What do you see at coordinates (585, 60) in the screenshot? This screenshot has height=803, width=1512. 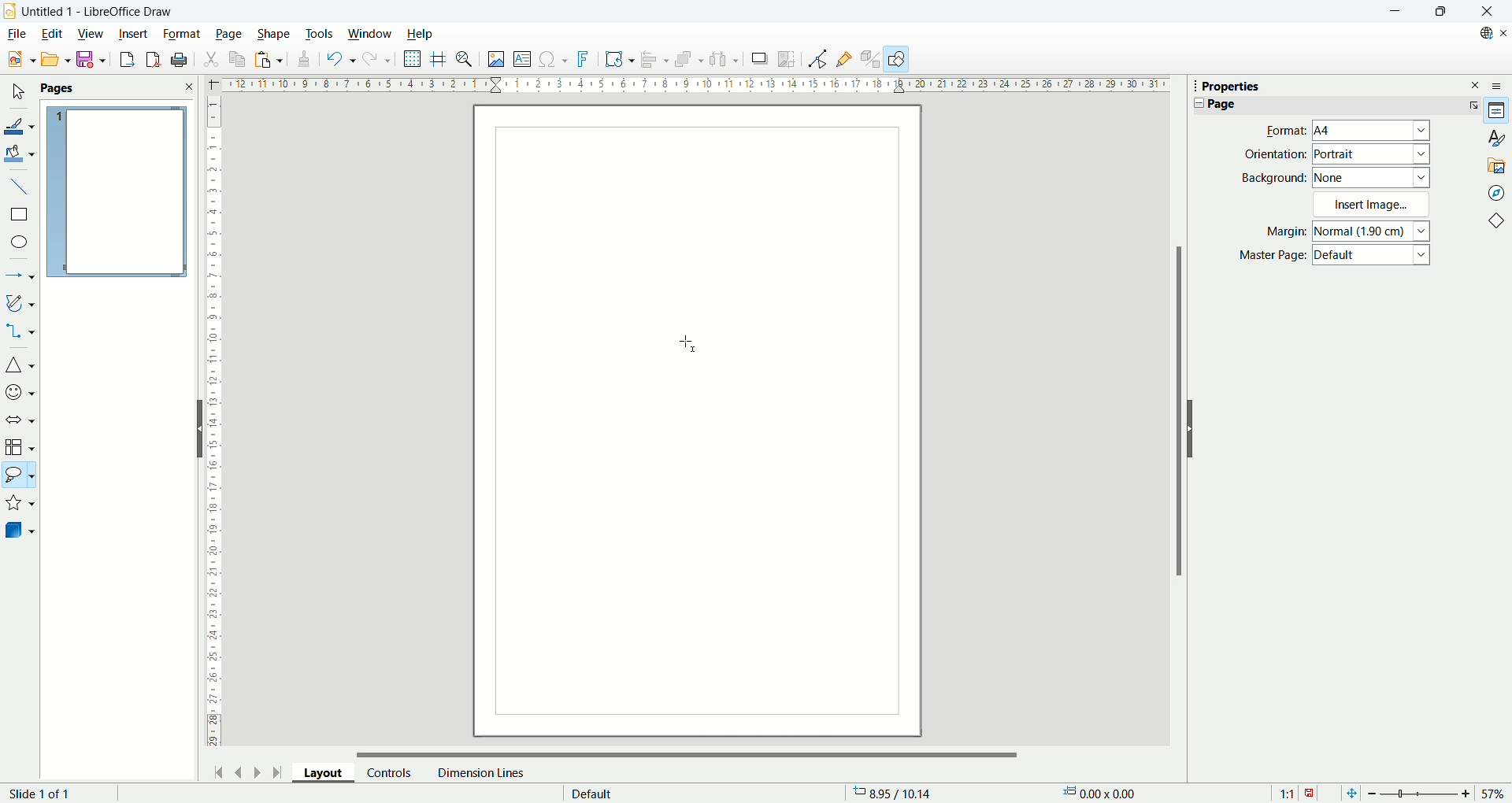 I see `fontwork text` at bounding box center [585, 60].